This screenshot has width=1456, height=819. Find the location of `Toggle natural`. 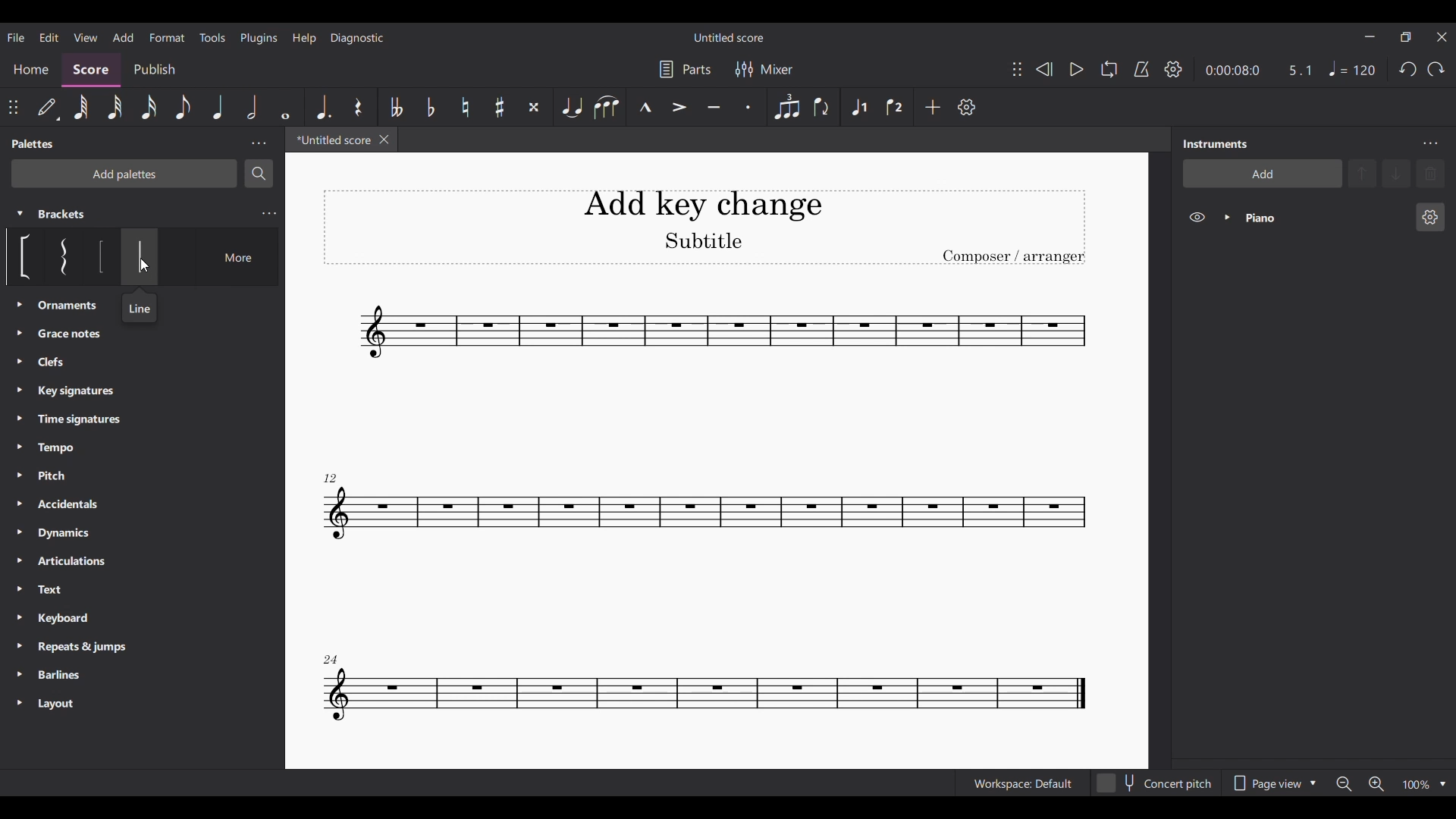

Toggle natural is located at coordinates (466, 106).